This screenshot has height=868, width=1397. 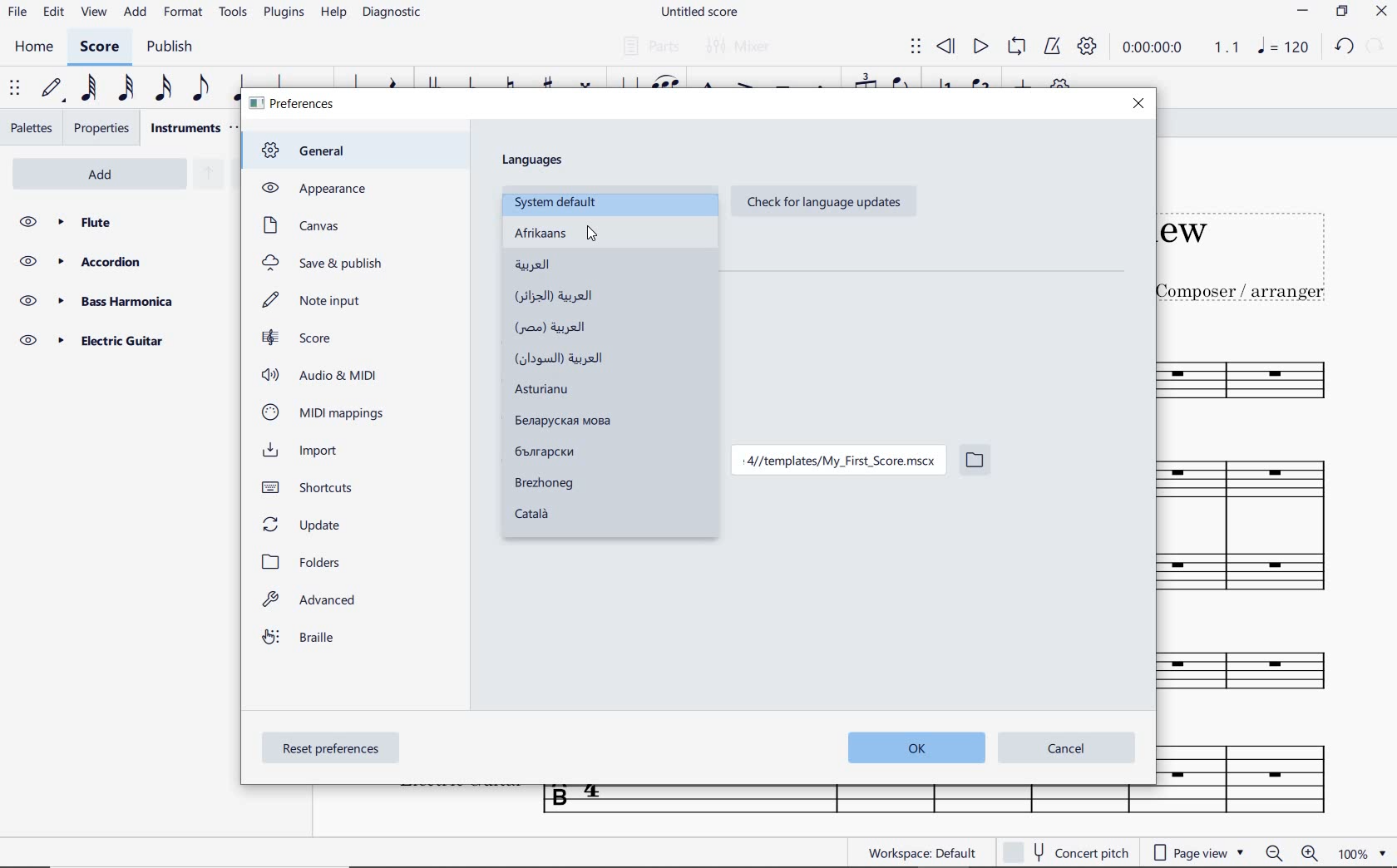 What do you see at coordinates (1066, 852) in the screenshot?
I see `concert pitch` at bounding box center [1066, 852].